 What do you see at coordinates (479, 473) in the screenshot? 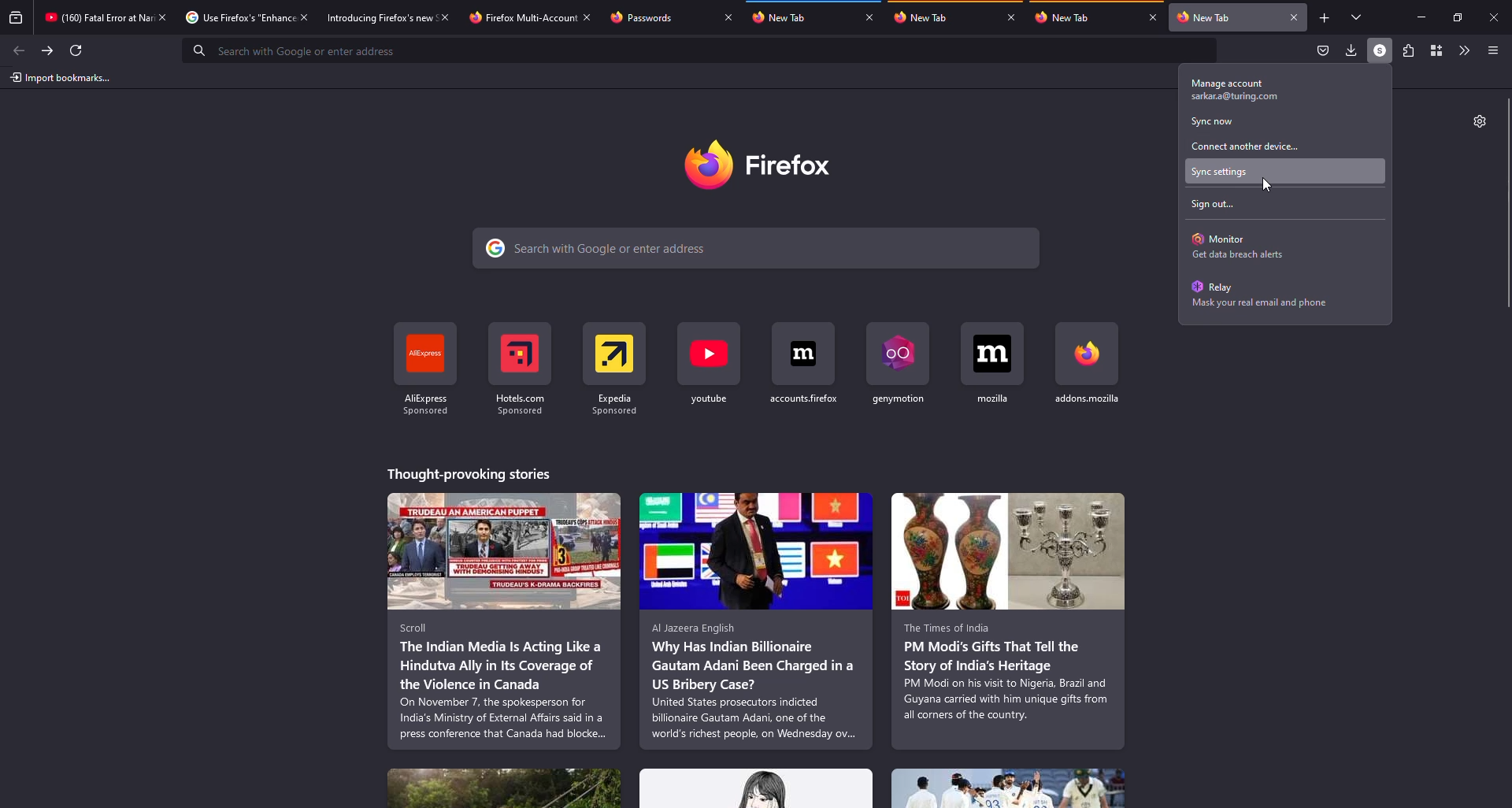
I see `stories` at bounding box center [479, 473].